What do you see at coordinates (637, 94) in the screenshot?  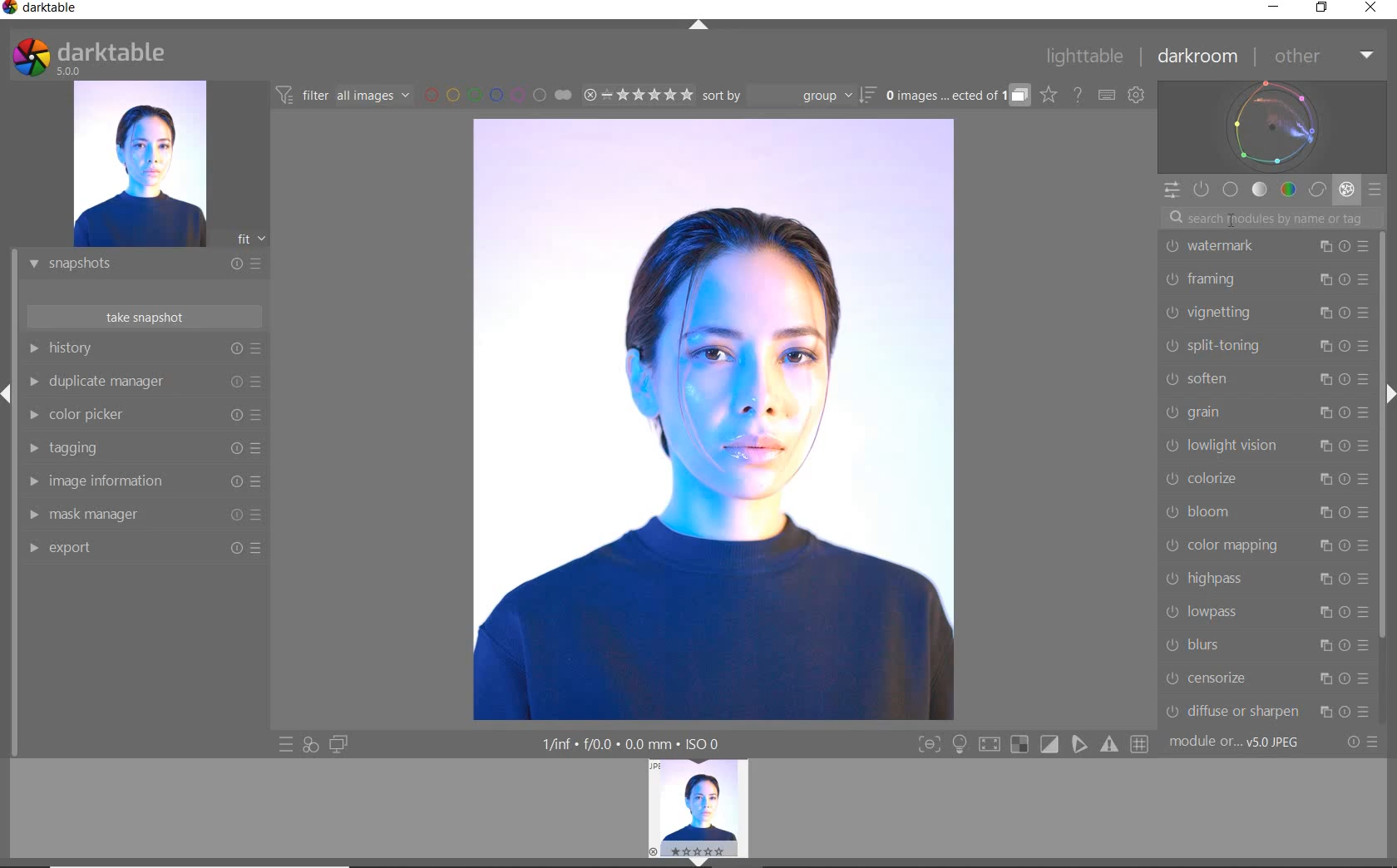 I see `RANGE RATING OF SELECTED IMAGES` at bounding box center [637, 94].